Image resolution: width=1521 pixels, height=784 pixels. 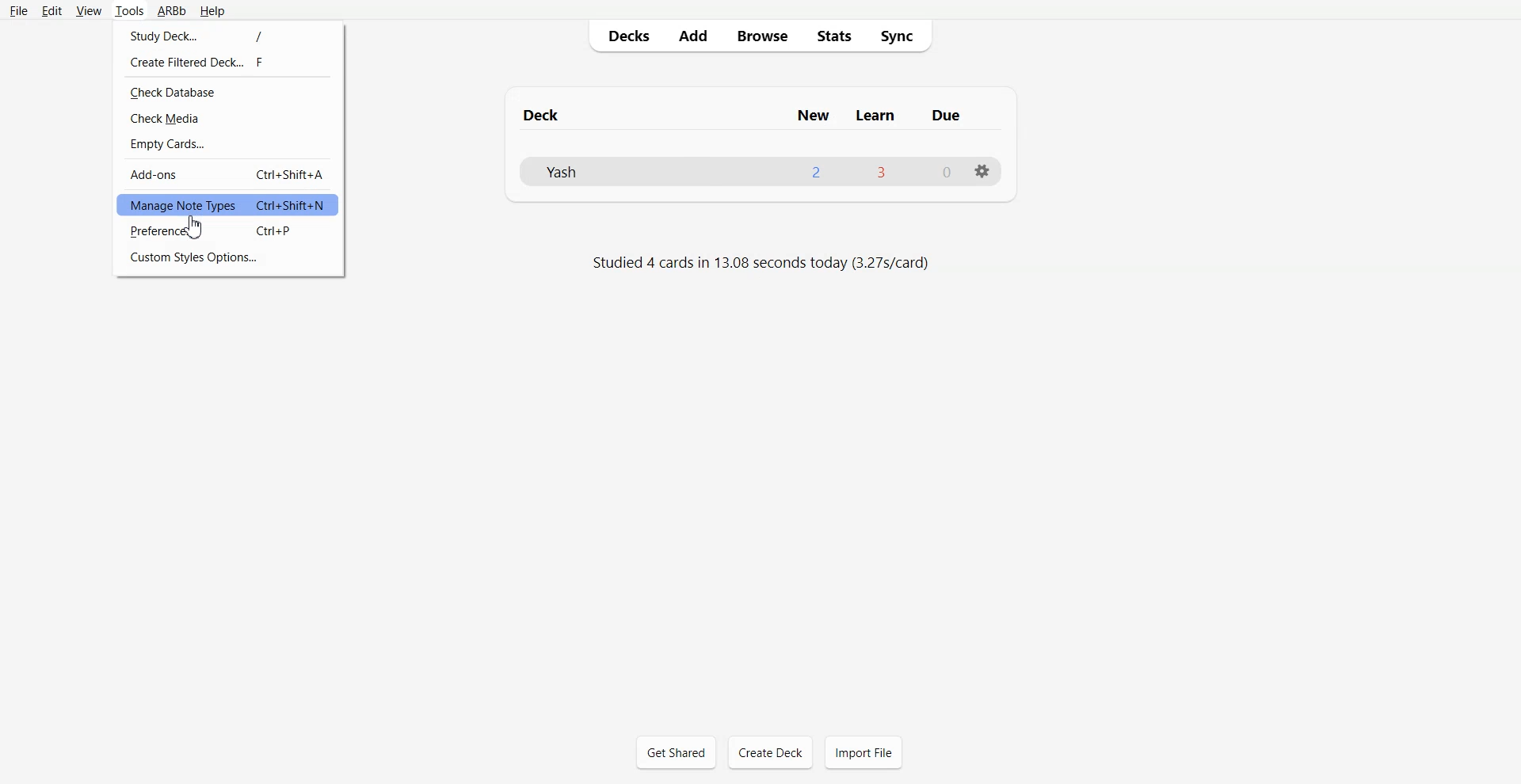 I want to click on File, so click(x=18, y=10).